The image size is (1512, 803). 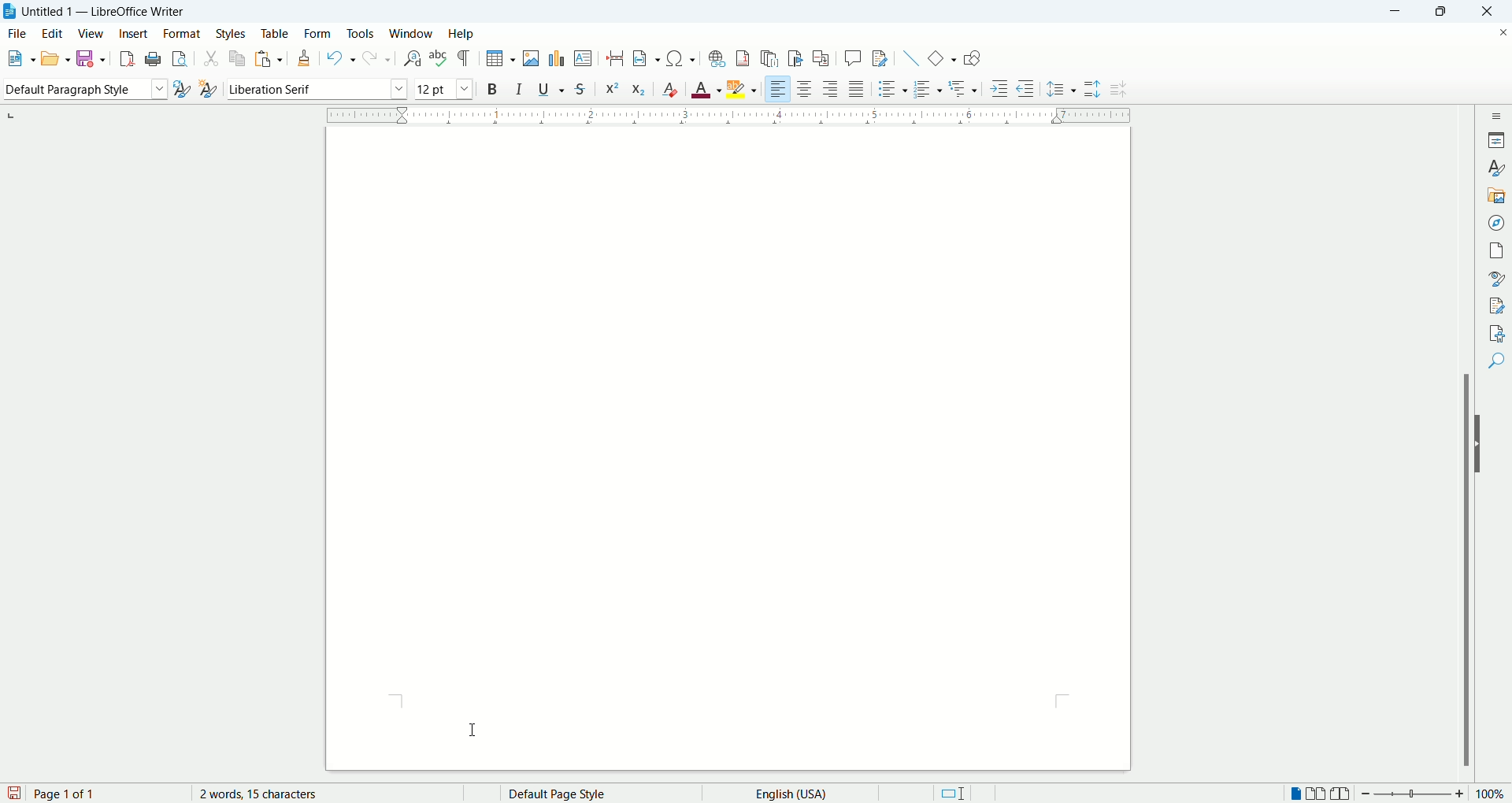 What do you see at coordinates (832, 91) in the screenshot?
I see `align right` at bounding box center [832, 91].